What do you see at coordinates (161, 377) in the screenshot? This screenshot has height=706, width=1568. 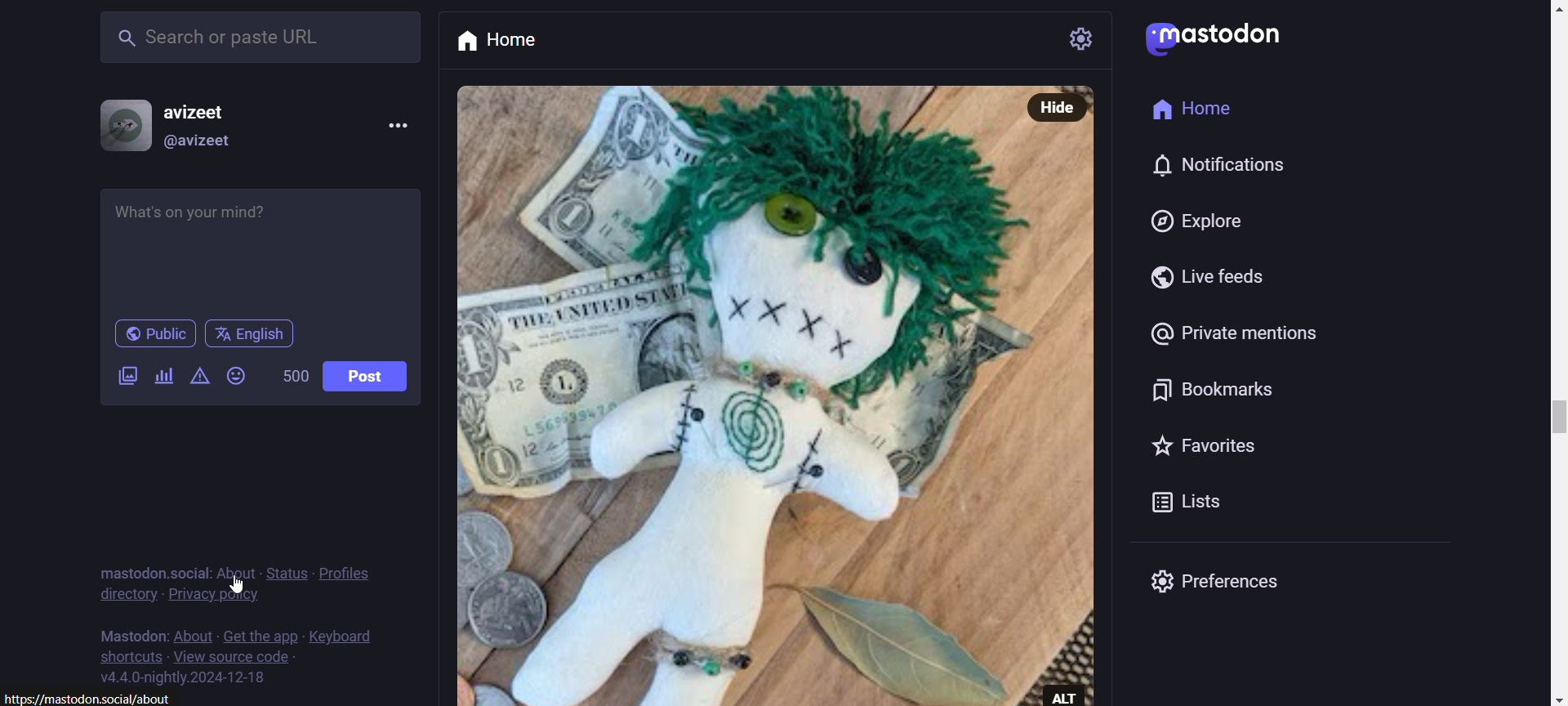 I see `add a poll` at bounding box center [161, 377].